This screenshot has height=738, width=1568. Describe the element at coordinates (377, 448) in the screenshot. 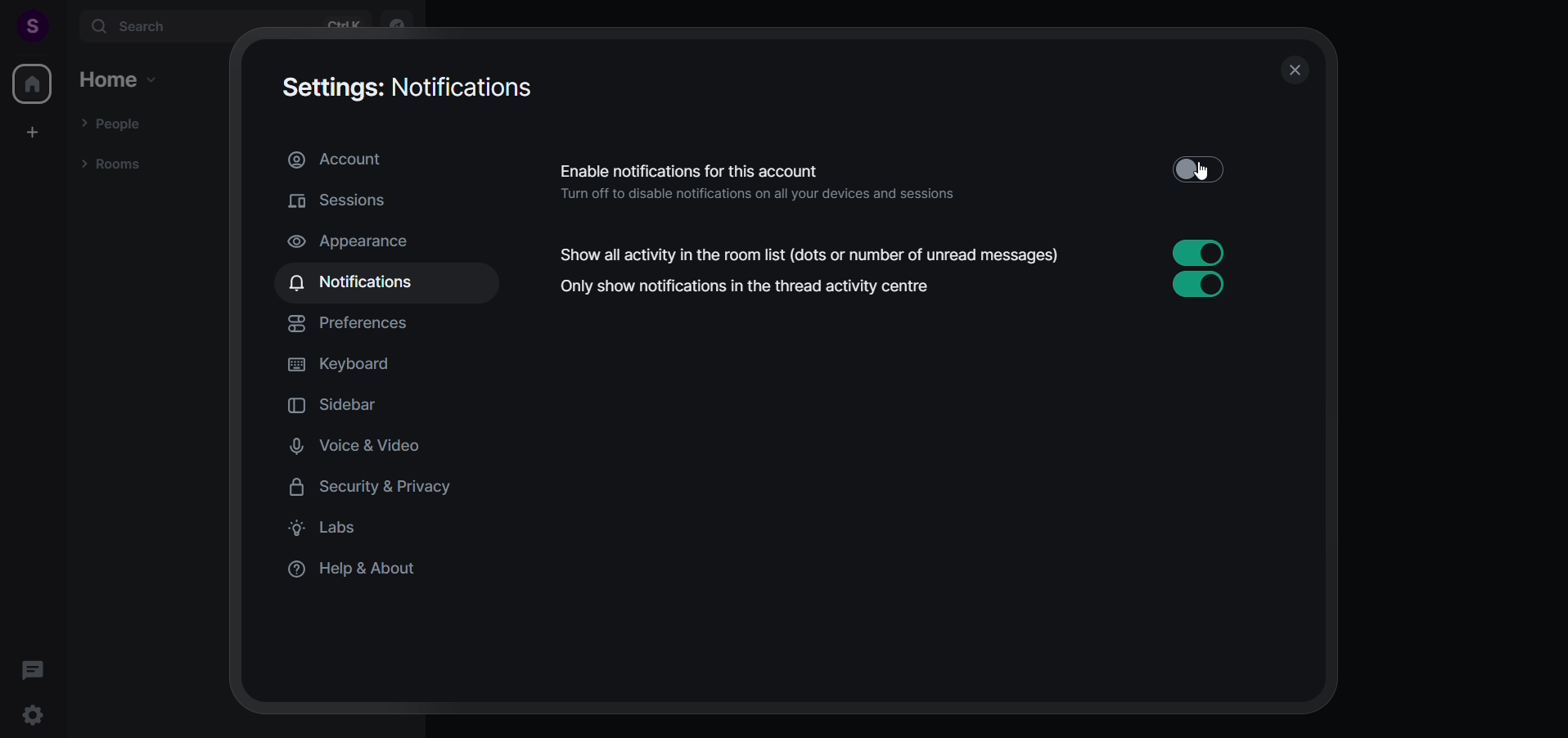

I see `voice & voice` at that location.